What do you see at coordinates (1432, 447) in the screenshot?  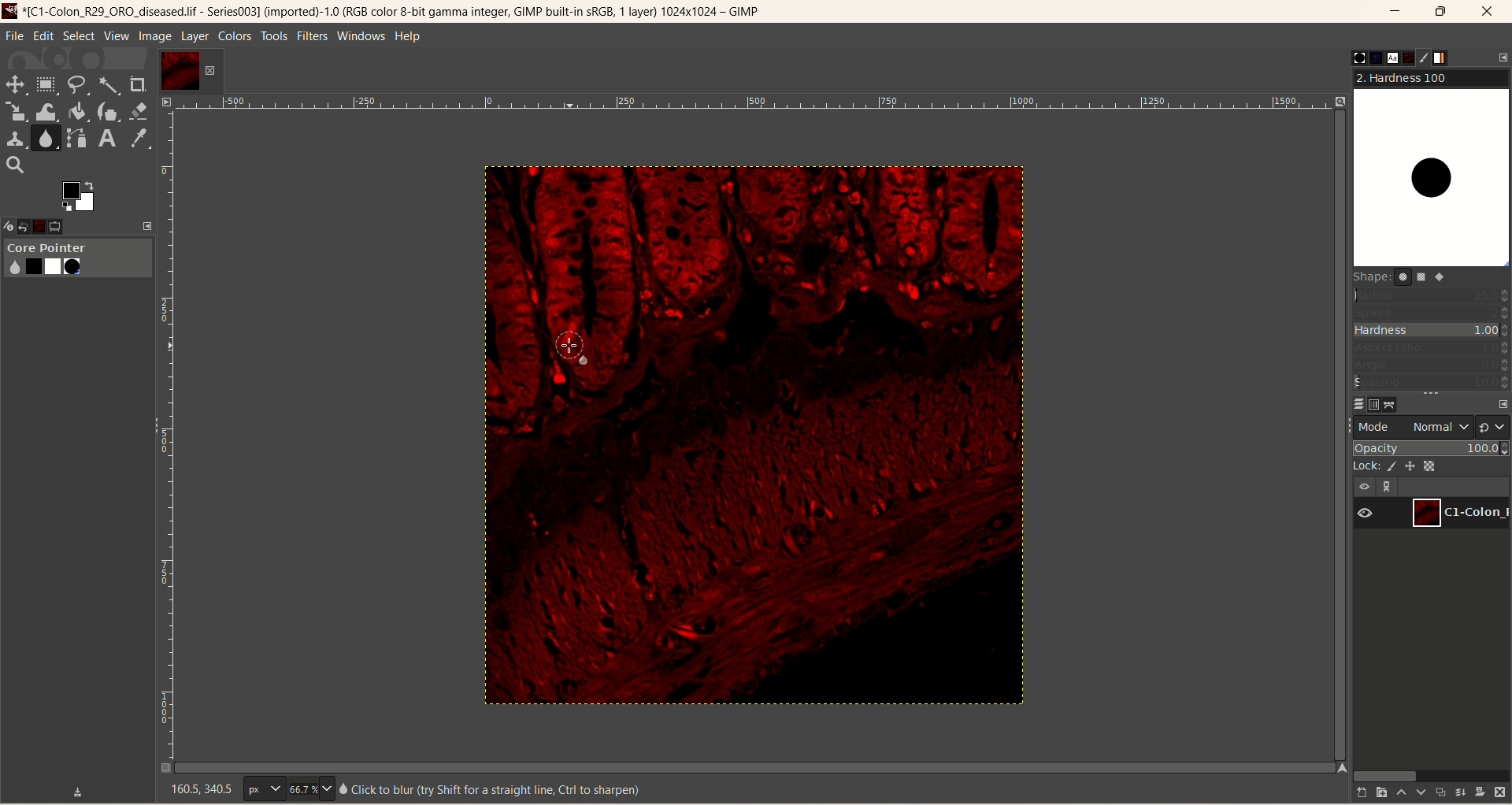 I see `opacity` at bounding box center [1432, 447].